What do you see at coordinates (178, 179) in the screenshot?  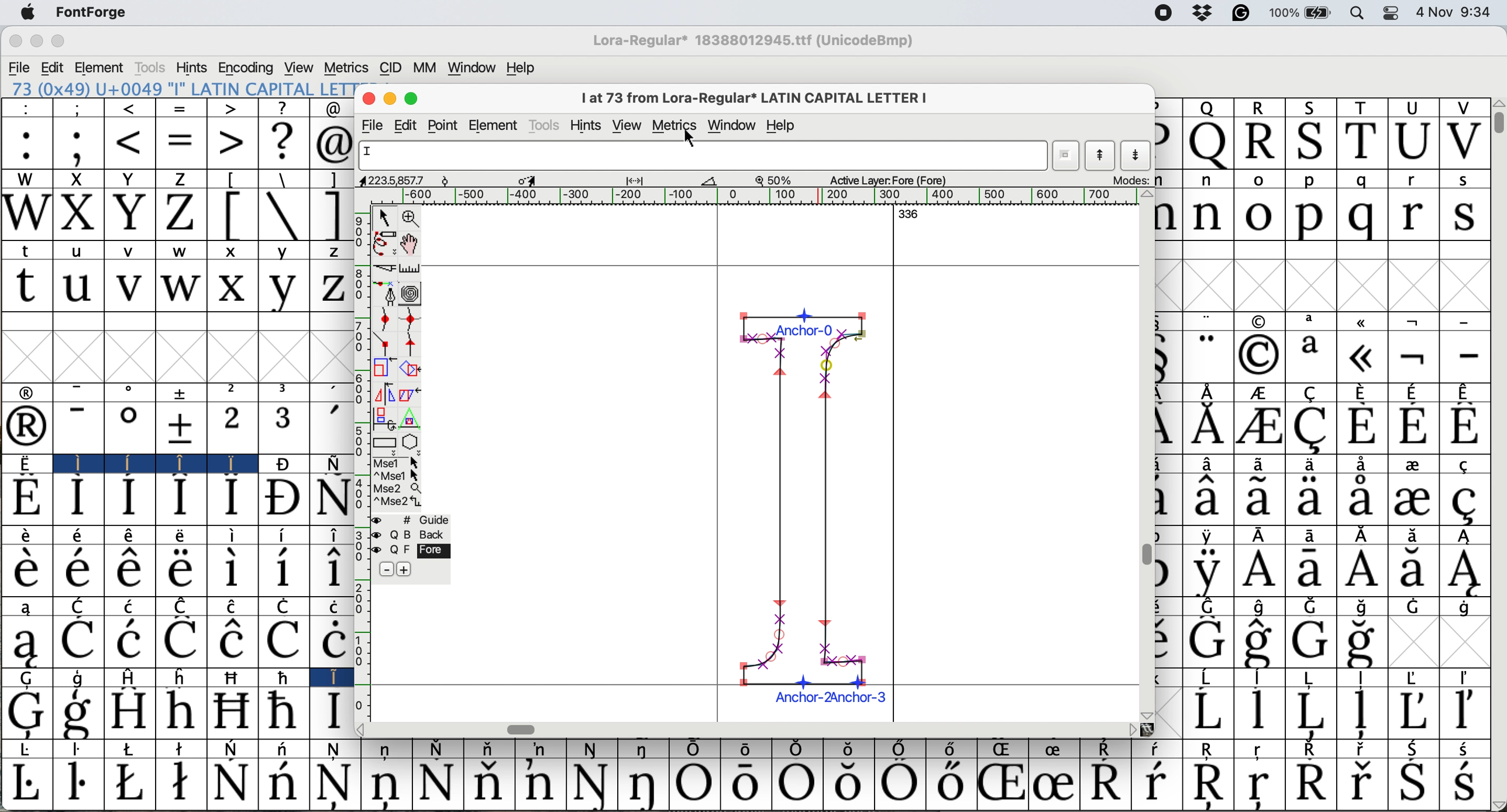 I see `Z` at bounding box center [178, 179].